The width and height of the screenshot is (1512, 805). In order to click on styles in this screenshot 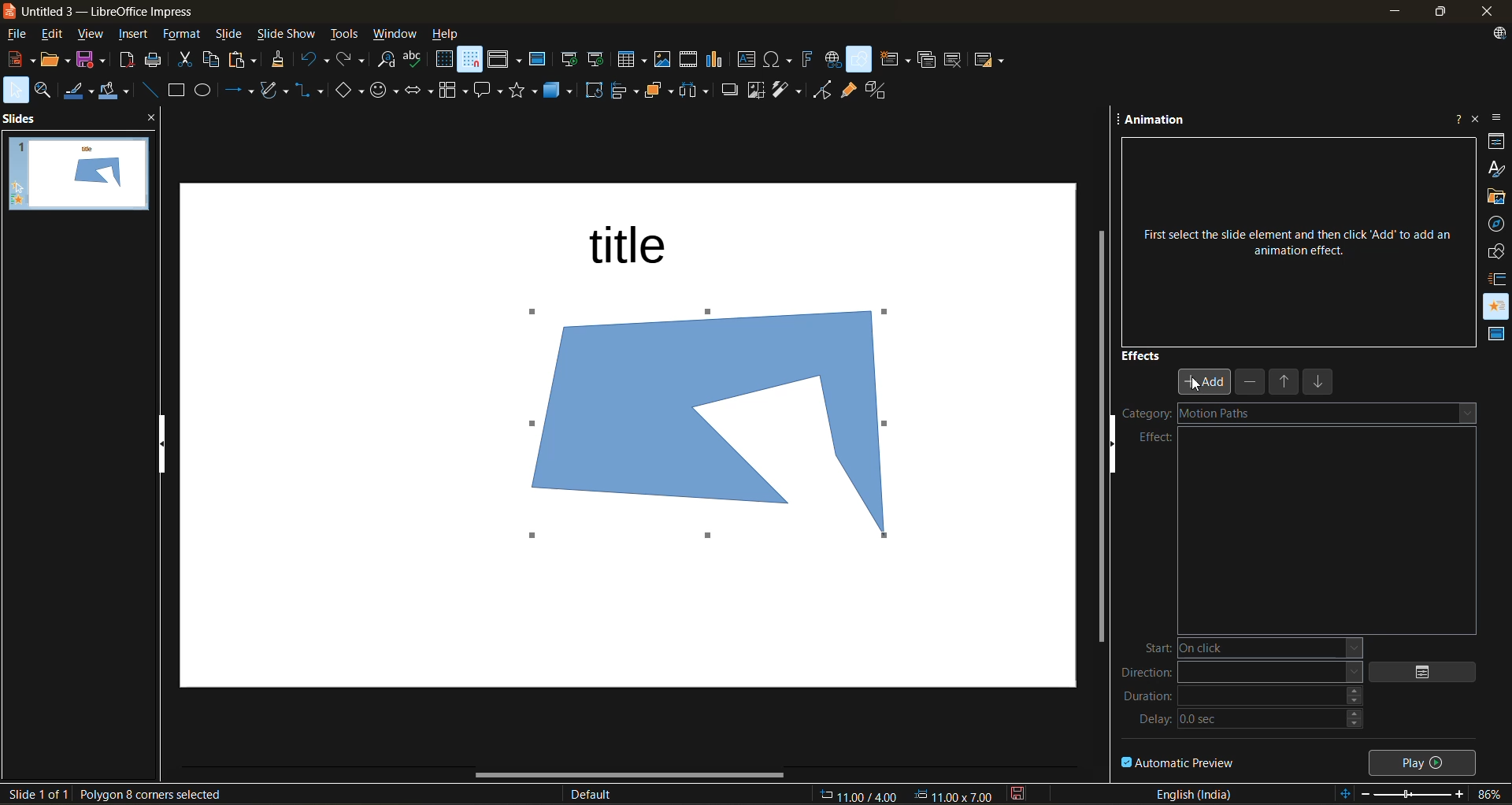, I will do `click(1495, 169)`.